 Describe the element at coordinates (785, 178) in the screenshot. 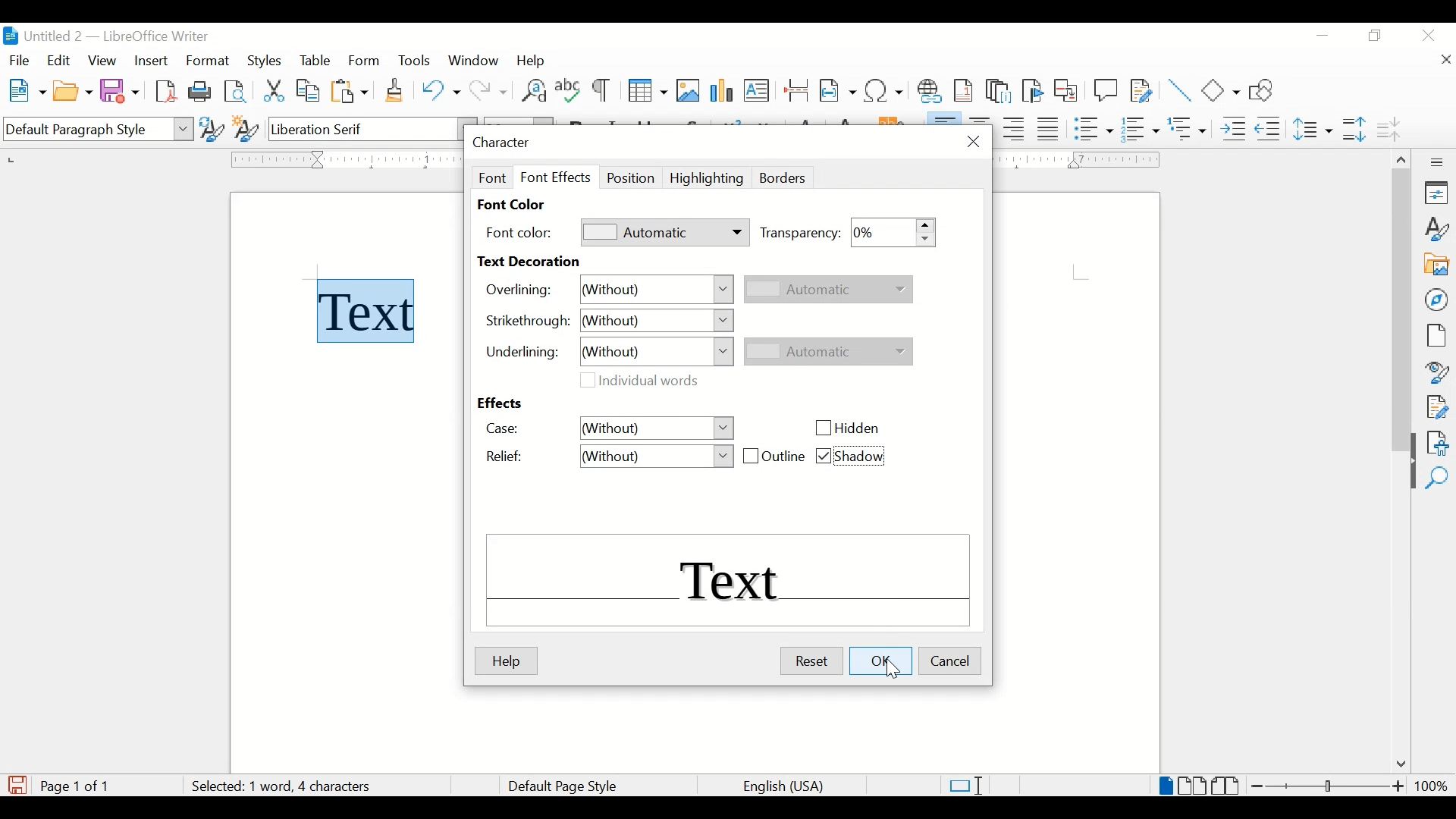

I see `borders` at that location.